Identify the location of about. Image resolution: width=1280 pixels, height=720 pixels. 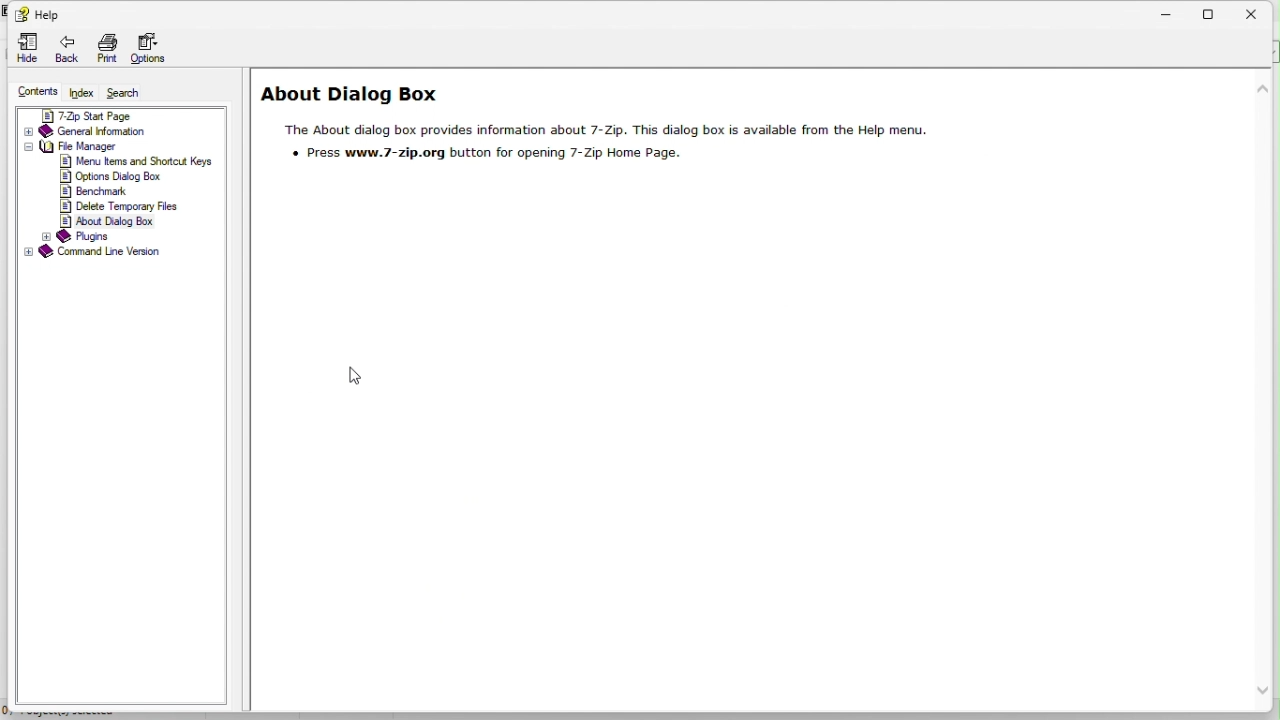
(113, 220).